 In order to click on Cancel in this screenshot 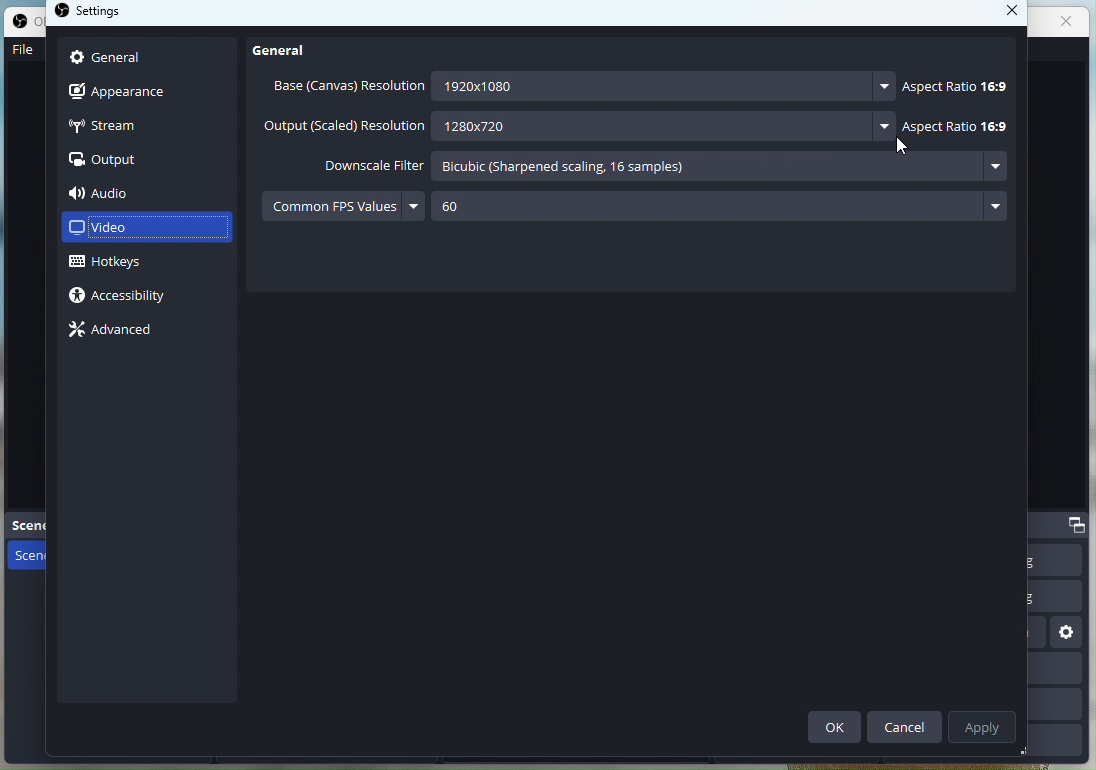, I will do `click(906, 725)`.